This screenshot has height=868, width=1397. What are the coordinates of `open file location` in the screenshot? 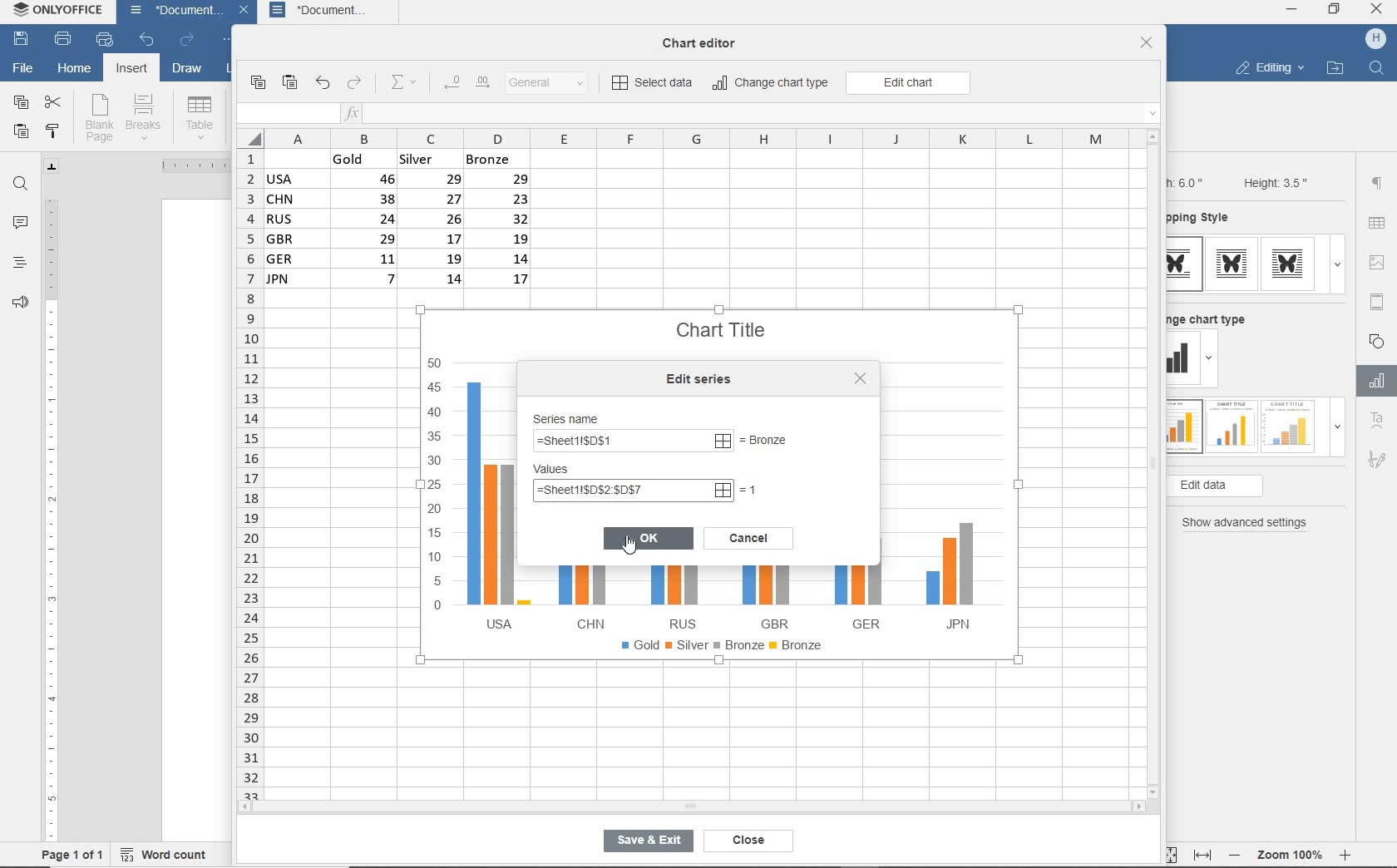 It's located at (1335, 69).